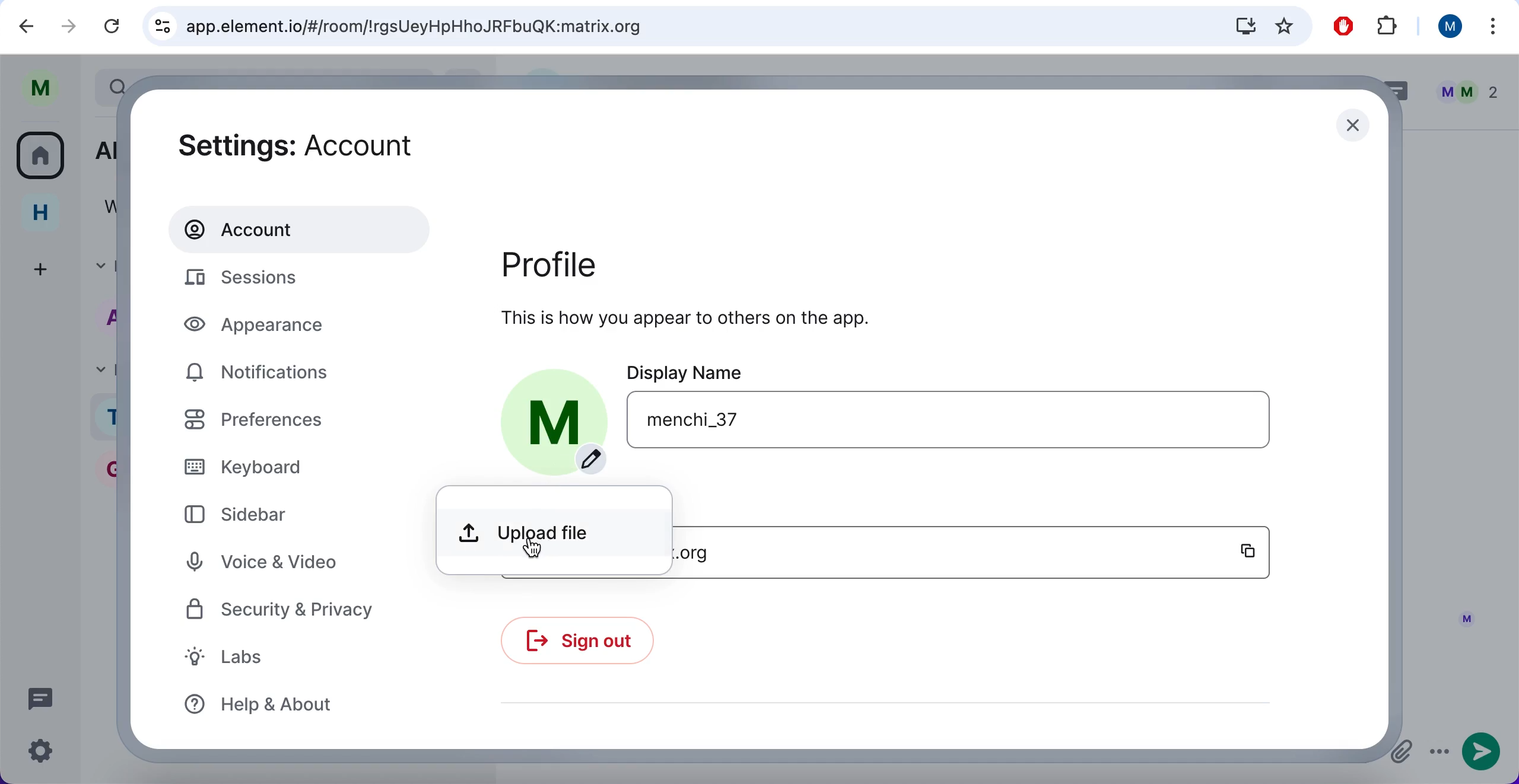 The height and width of the screenshot is (784, 1519). I want to click on security and privacy, so click(309, 613).